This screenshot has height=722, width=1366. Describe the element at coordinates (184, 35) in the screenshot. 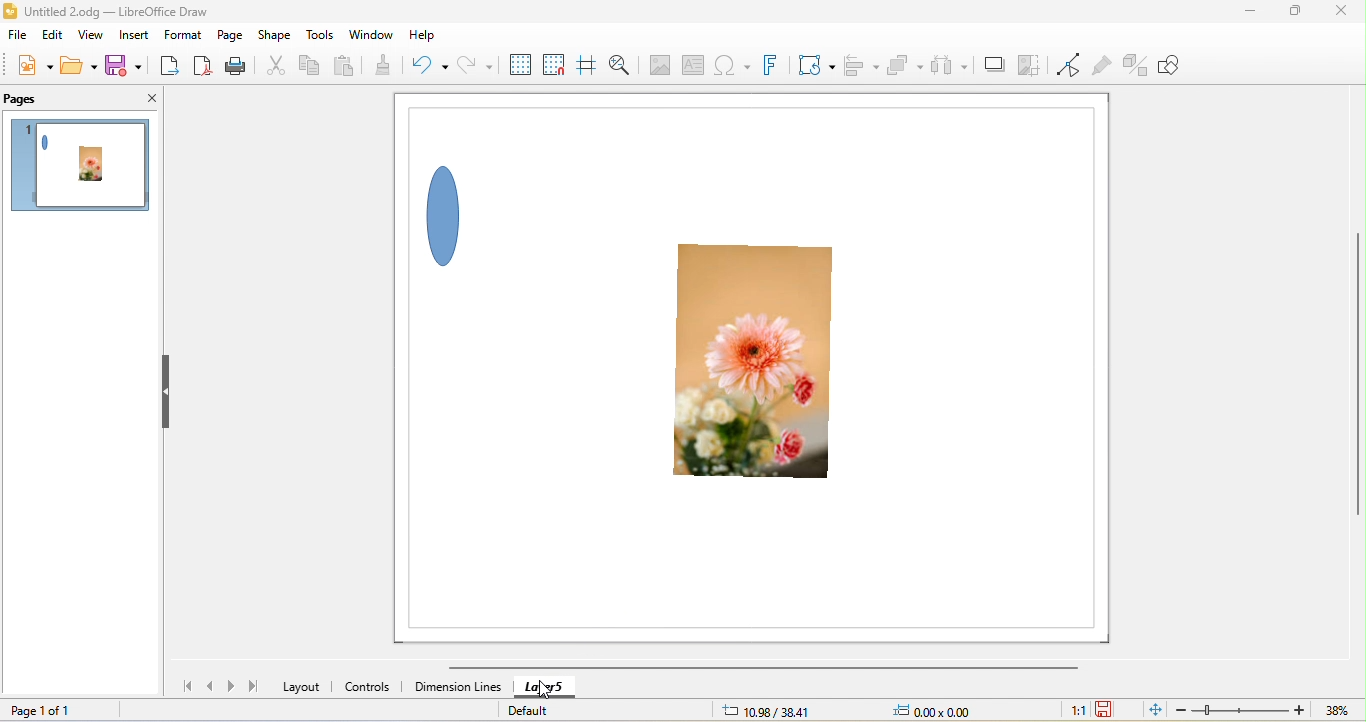

I see `format` at that location.